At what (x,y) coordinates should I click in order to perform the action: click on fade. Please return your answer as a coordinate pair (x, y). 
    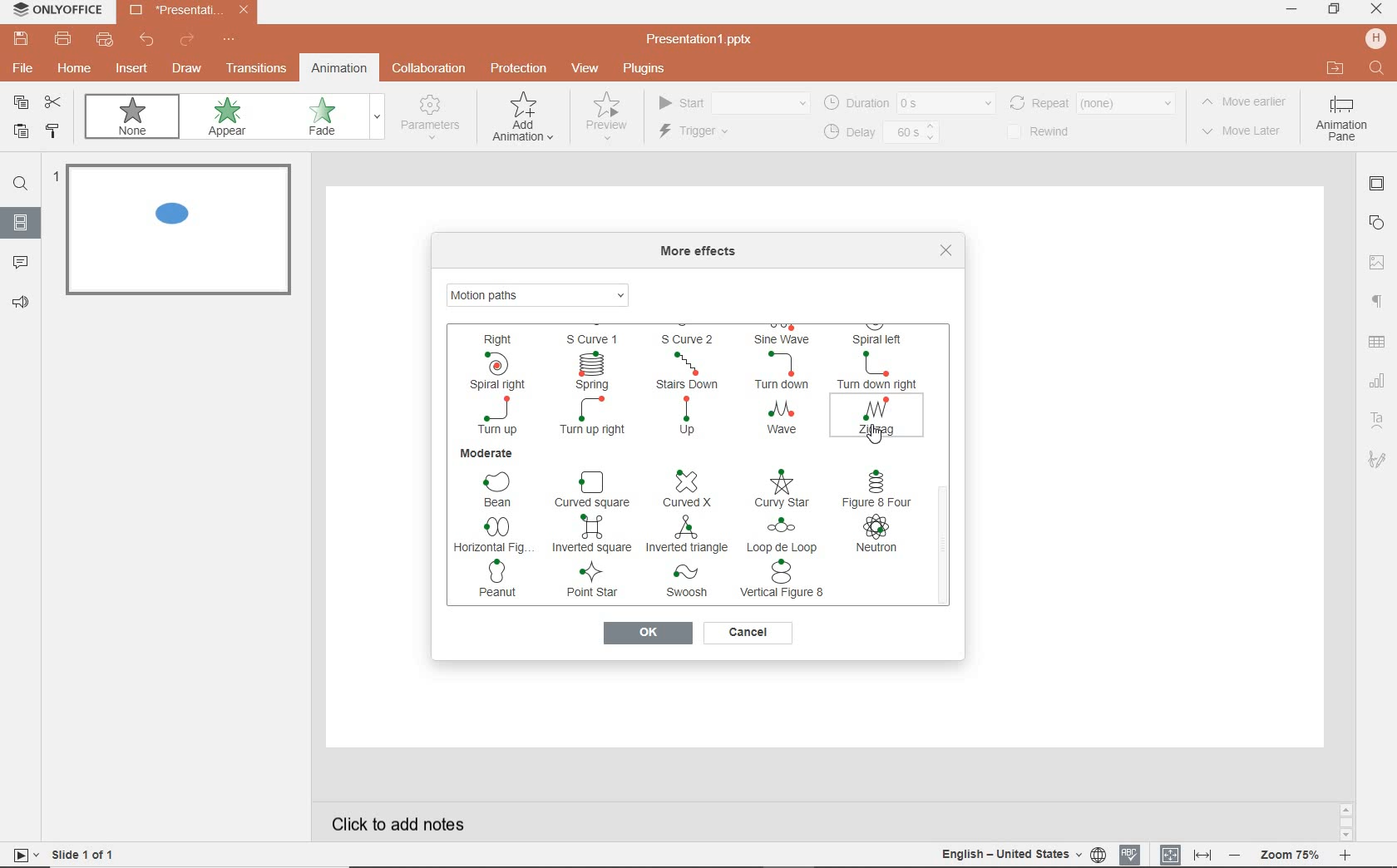
    Looking at the image, I should click on (331, 118).